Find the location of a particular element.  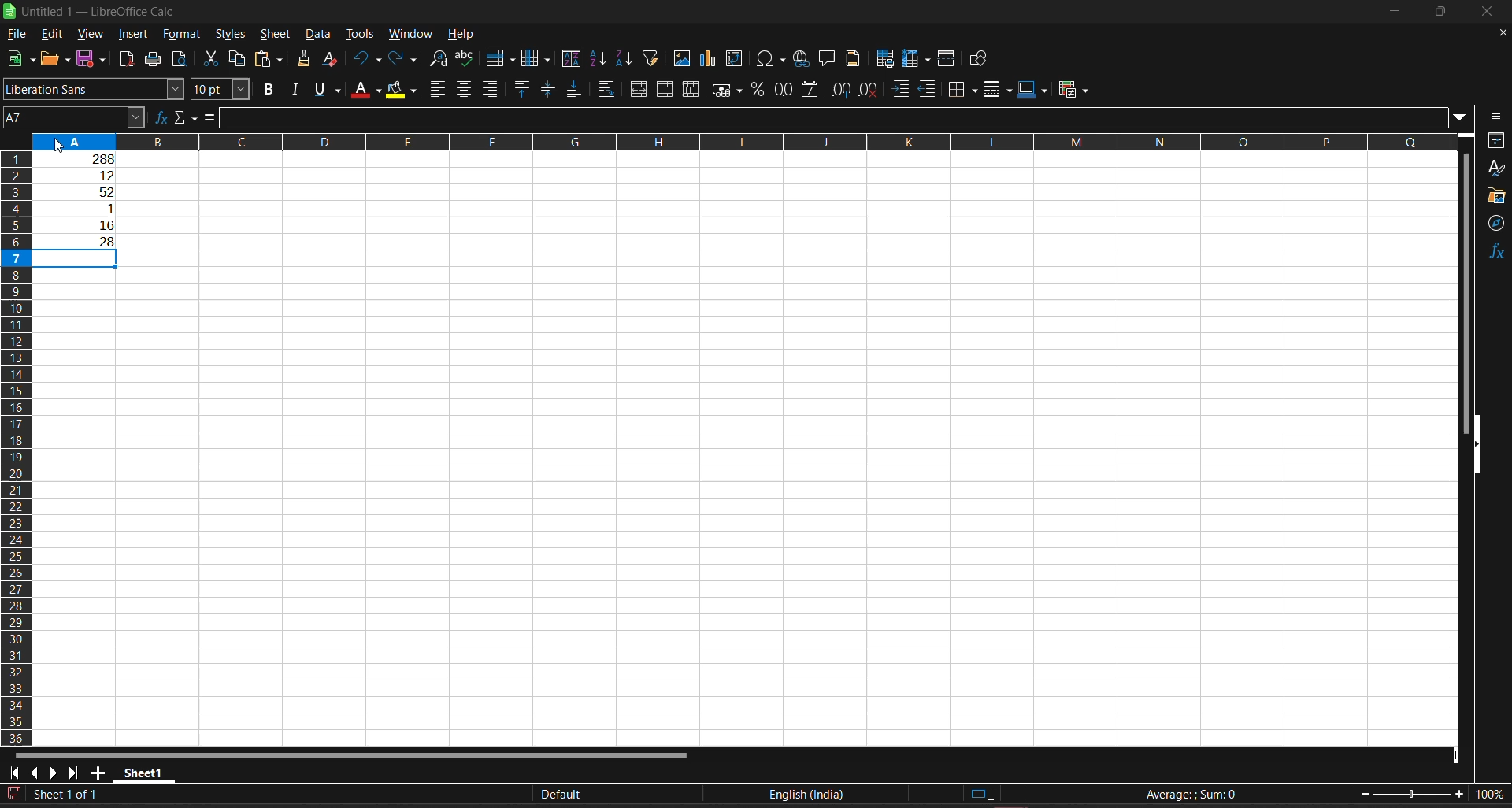

border color is located at coordinates (1034, 89).